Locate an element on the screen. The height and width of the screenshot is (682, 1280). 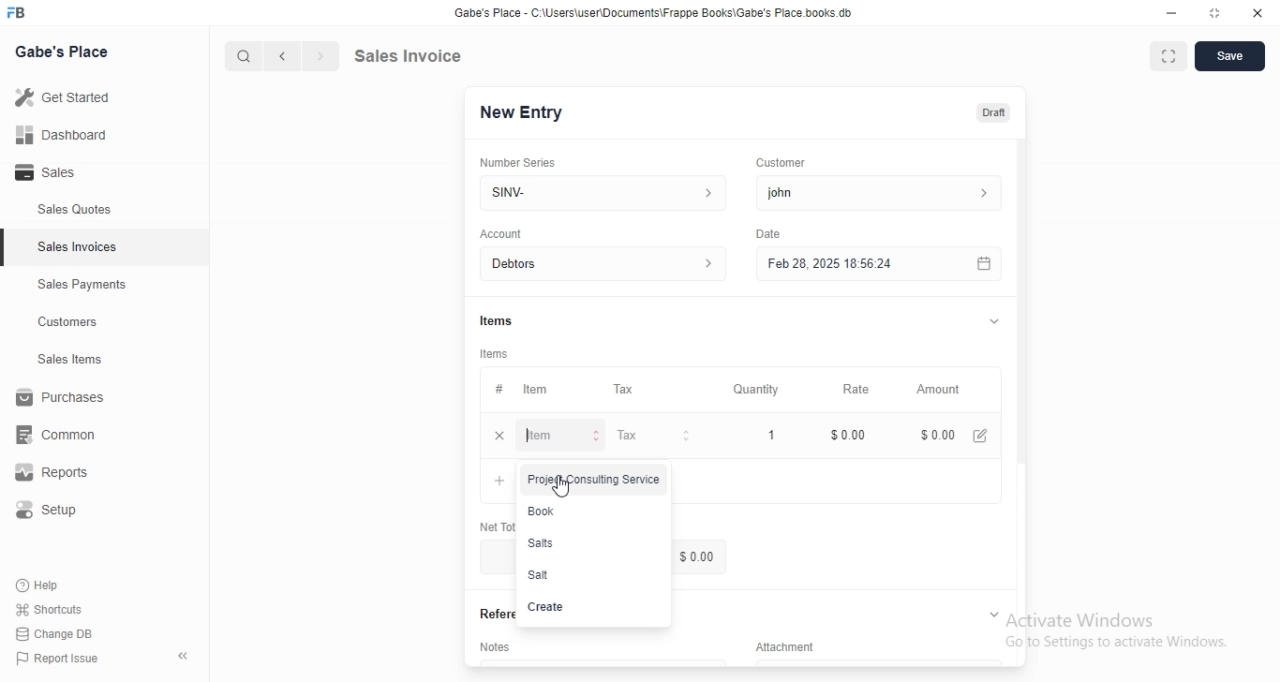
Help is located at coordinates (57, 584).